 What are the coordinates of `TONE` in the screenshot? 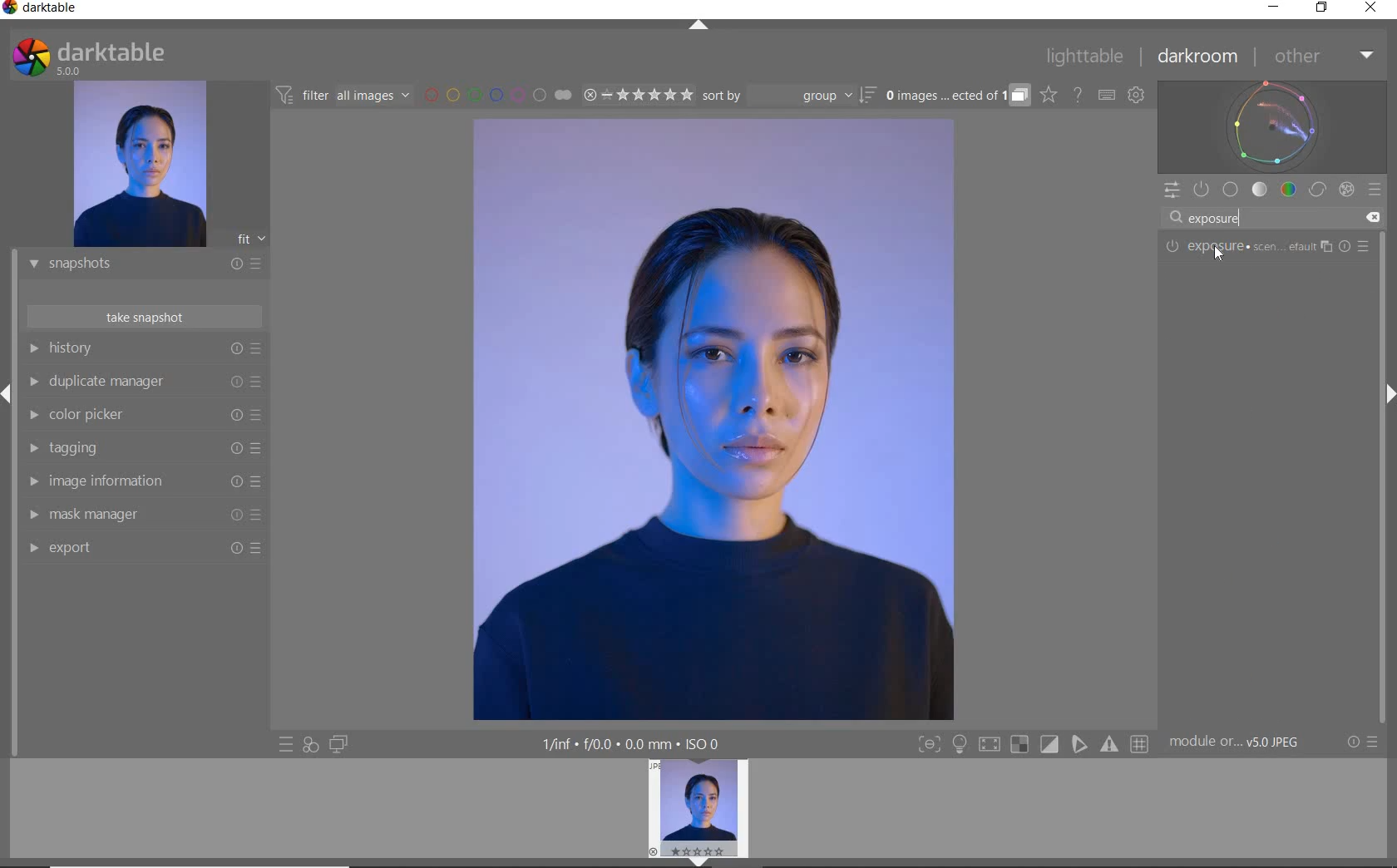 It's located at (1261, 190).